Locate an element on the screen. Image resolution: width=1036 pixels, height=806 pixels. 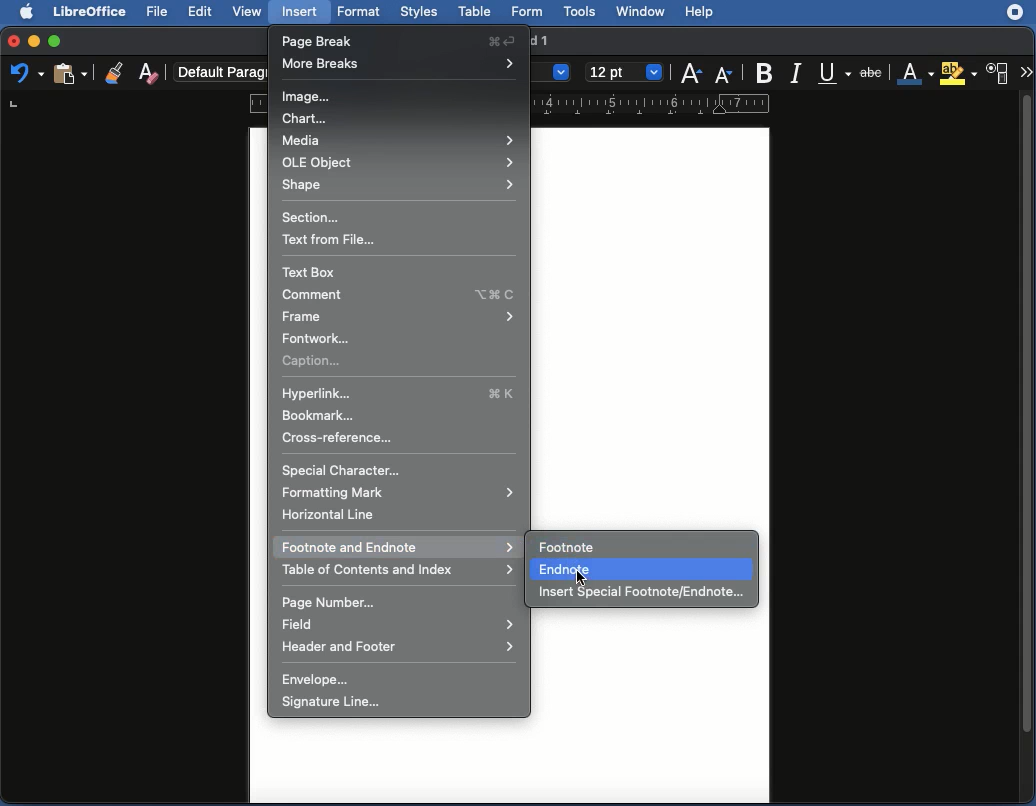
Scroll is located at coordinates (1028, 449).